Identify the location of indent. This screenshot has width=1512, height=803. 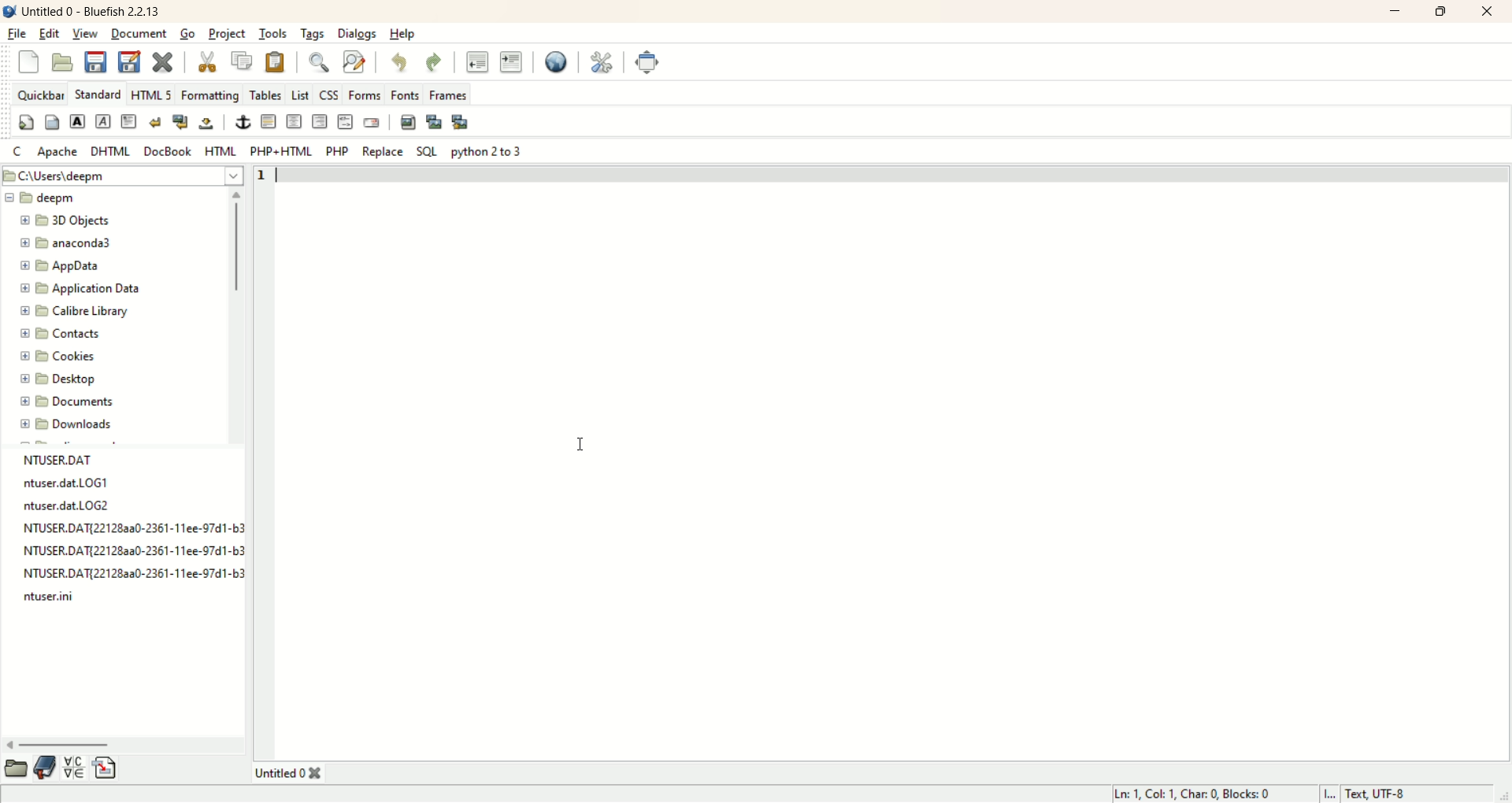
(511, 60).